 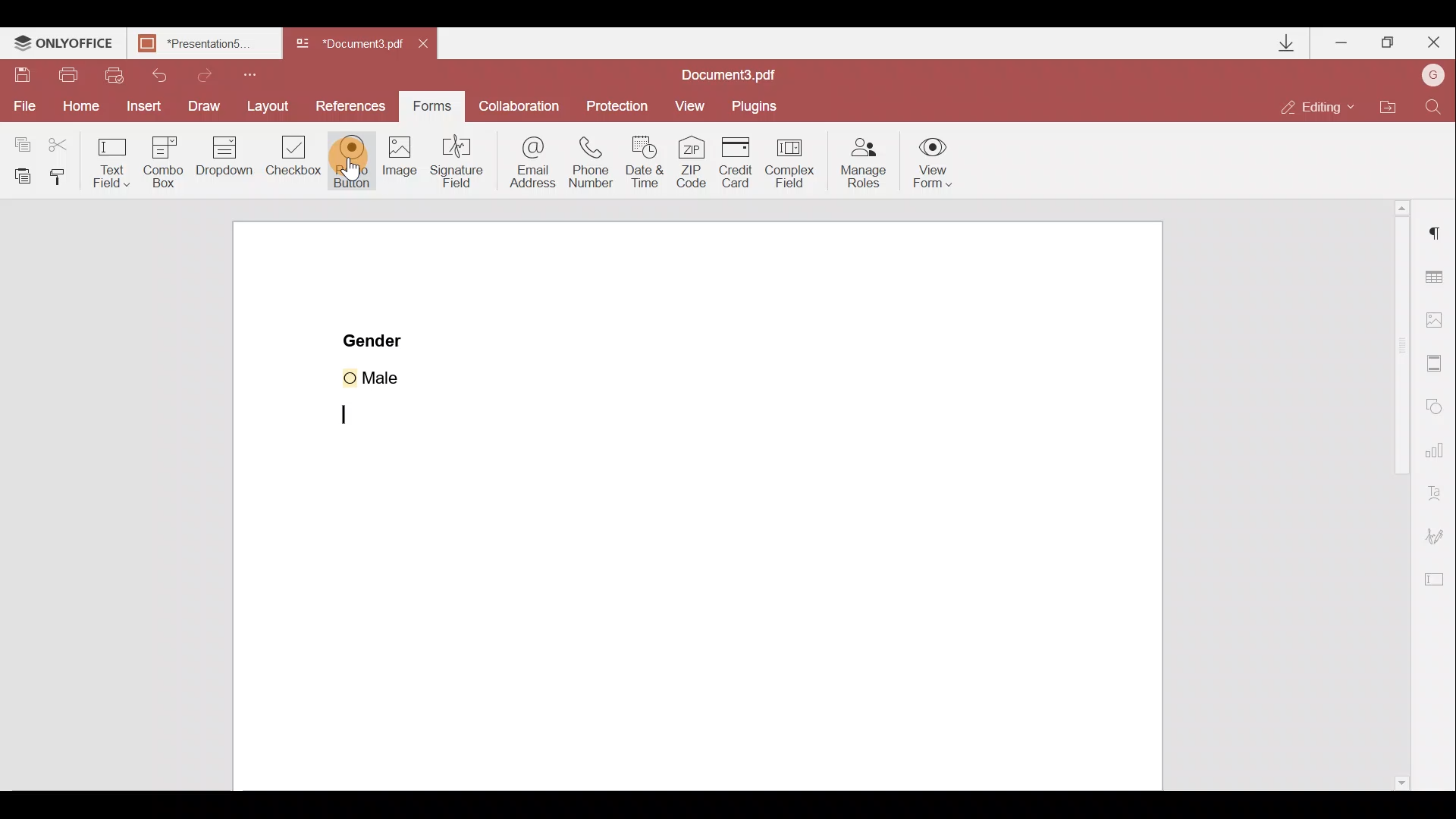 I want to click on View form, so click(x=934, y=162).